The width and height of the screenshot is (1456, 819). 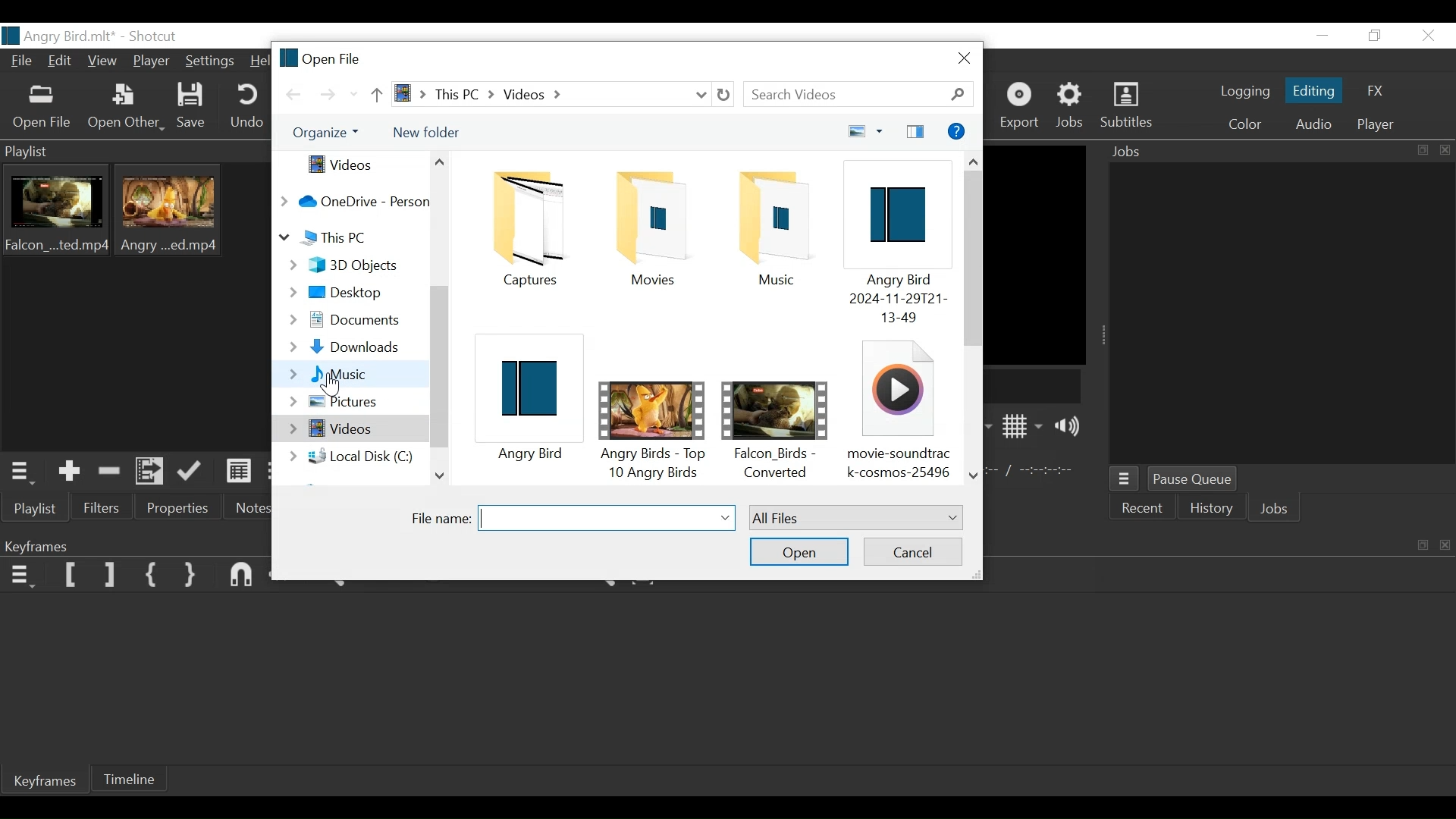 What do you see at coordinates (1312, 89) in the screenshot?
I see `Editing` at bounding box center [1312, 89].